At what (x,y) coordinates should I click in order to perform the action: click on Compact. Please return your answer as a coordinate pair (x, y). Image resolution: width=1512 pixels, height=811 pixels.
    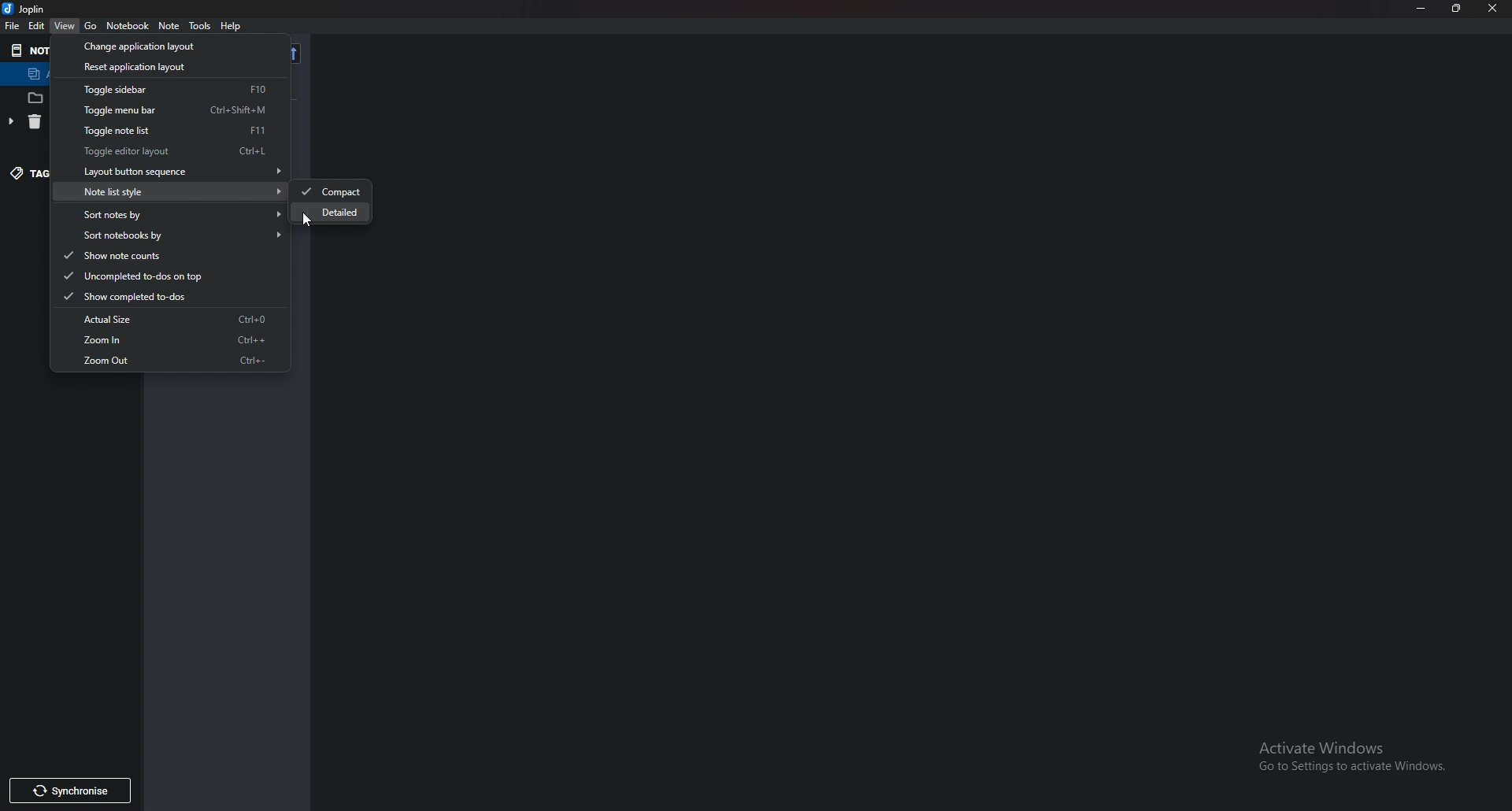
    Looking at the image, I should click on (332, 192).